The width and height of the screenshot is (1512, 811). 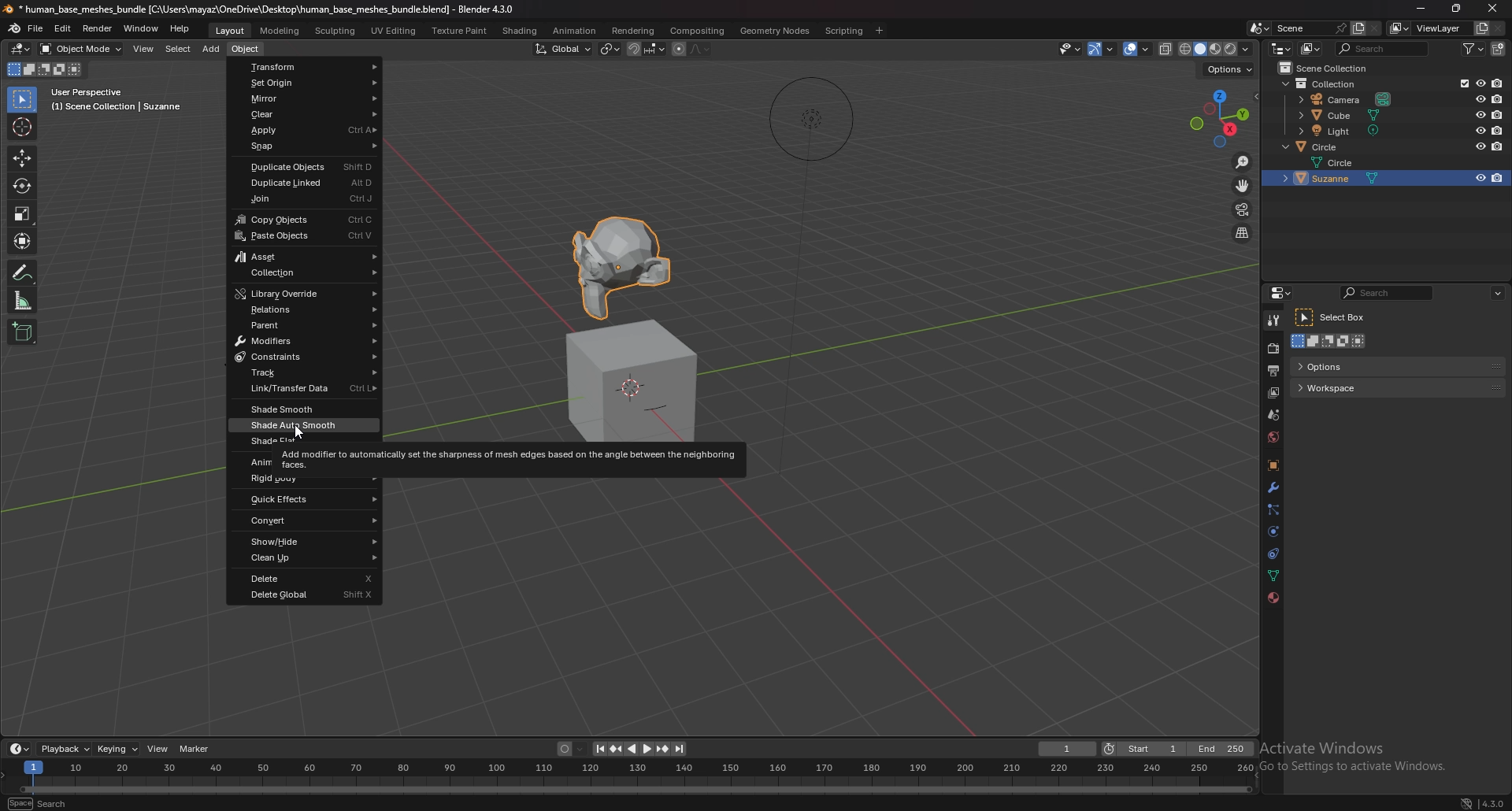 What do you see at coordinates (20, 749) in the screenshot?
I see `editor type` at bounding box center [20, 749].